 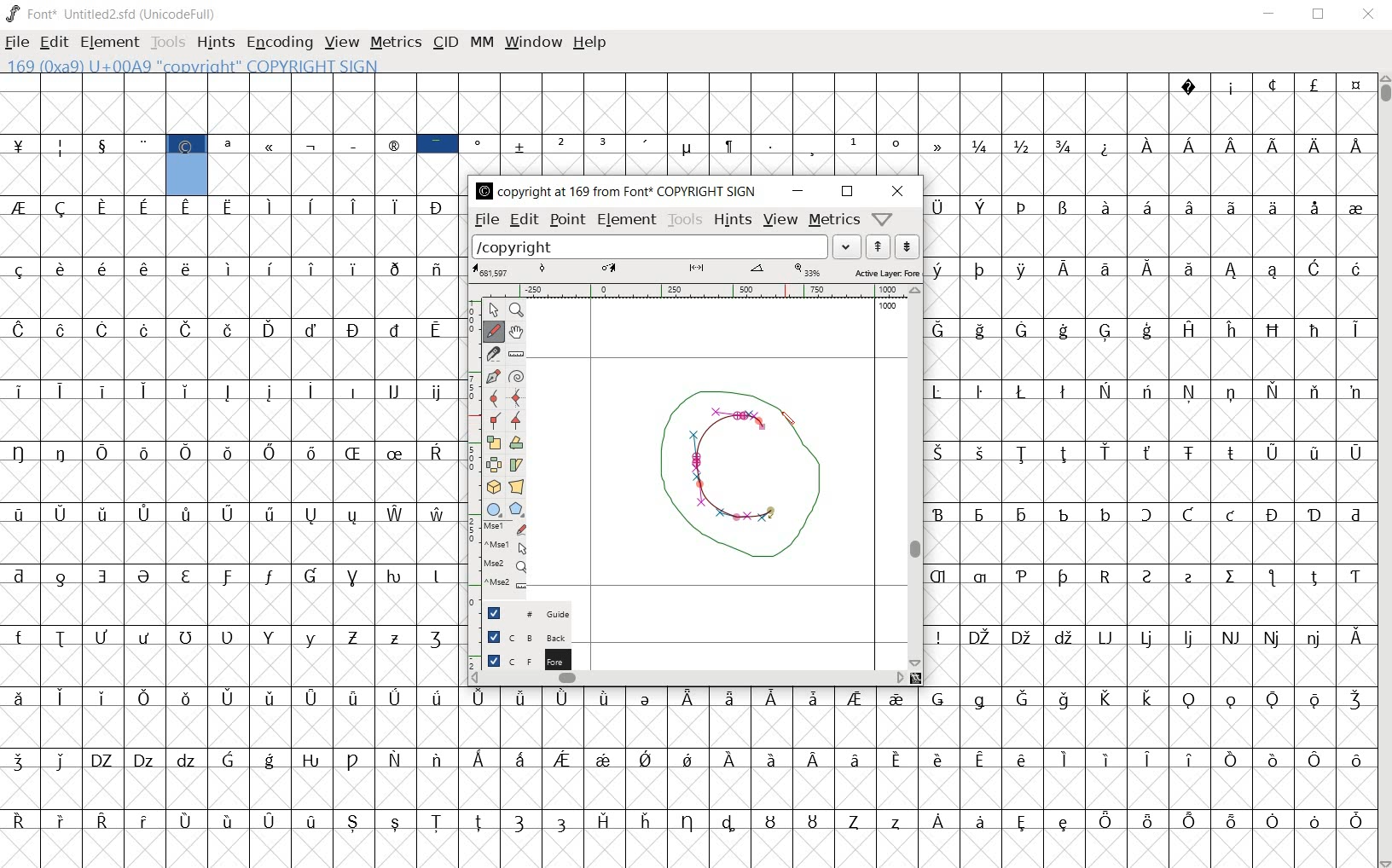 What do you see at coordinates (495, 465) in the screenshot?
I see `flip the selection` at bounding box center [495, 465].